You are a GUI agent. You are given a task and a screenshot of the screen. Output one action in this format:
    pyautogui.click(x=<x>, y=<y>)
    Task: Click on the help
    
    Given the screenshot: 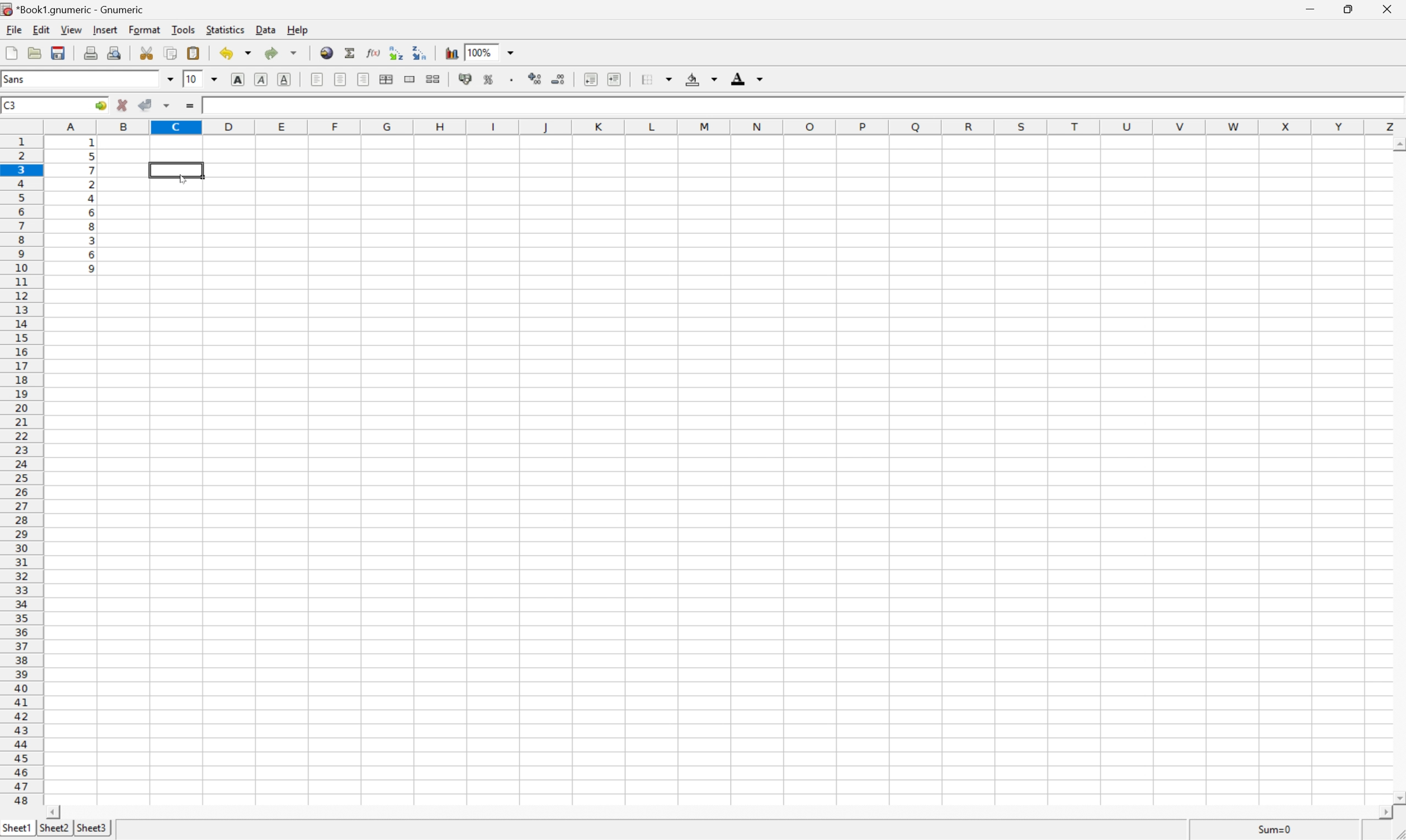 What is the action you would take?
    pyautogui.click(x=298, y=30)
    